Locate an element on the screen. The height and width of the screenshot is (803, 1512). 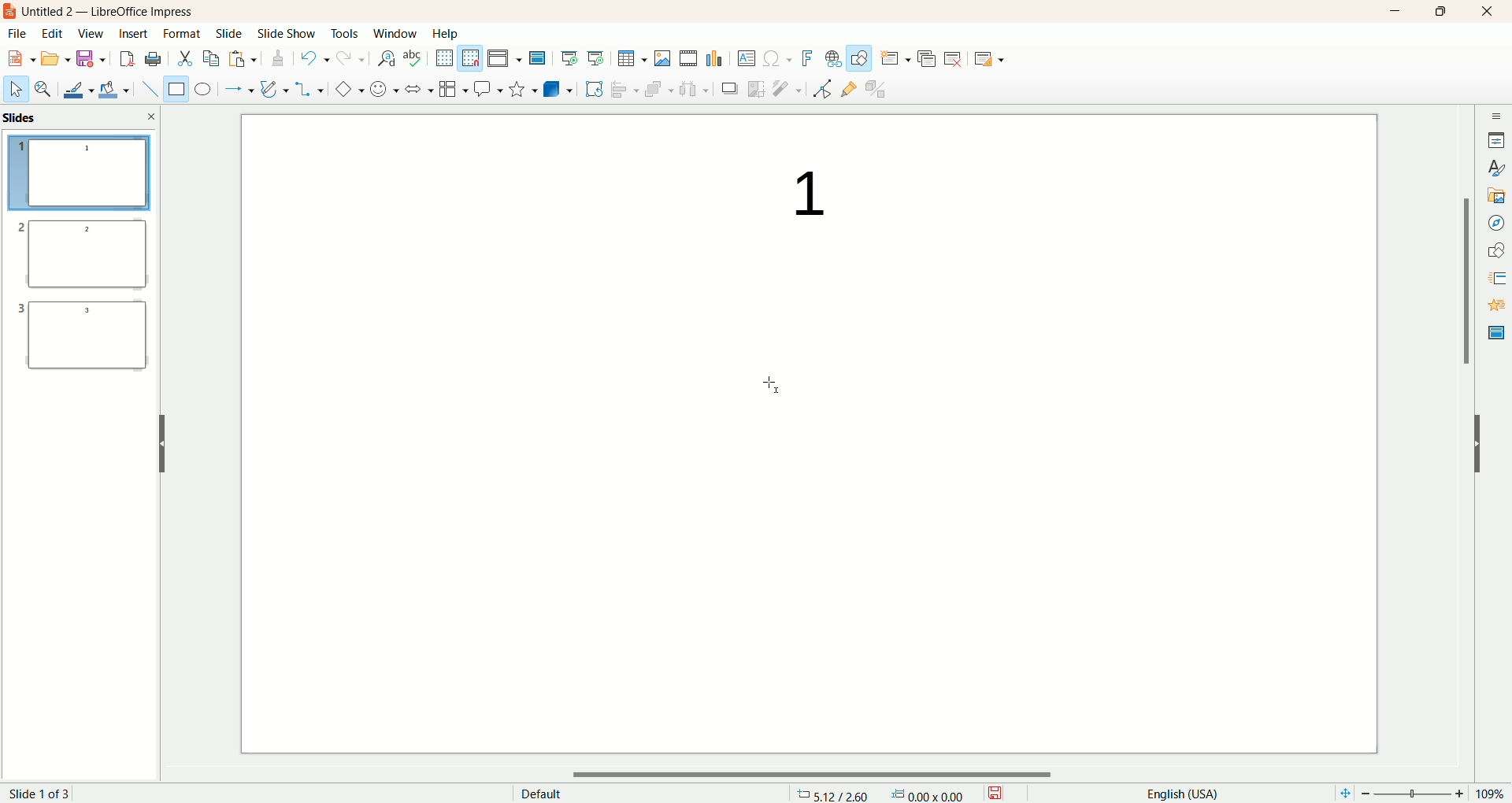
save is located at coordinates (91, 60).